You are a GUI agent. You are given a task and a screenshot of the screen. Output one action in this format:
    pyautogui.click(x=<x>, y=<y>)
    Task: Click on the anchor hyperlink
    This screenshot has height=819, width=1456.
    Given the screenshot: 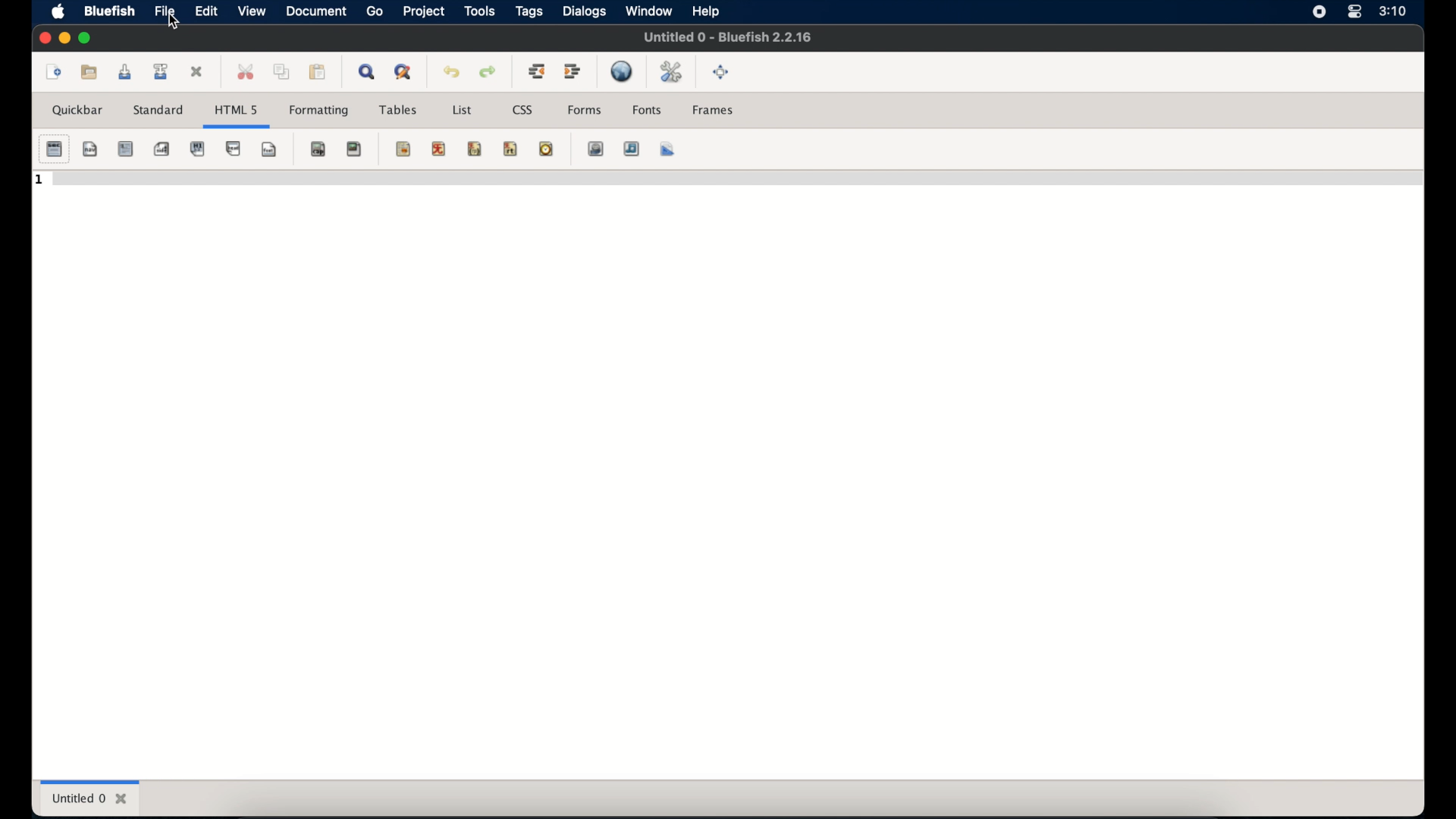 What is the action you would take?
    pyautogui.click(x=355, y=149)
    